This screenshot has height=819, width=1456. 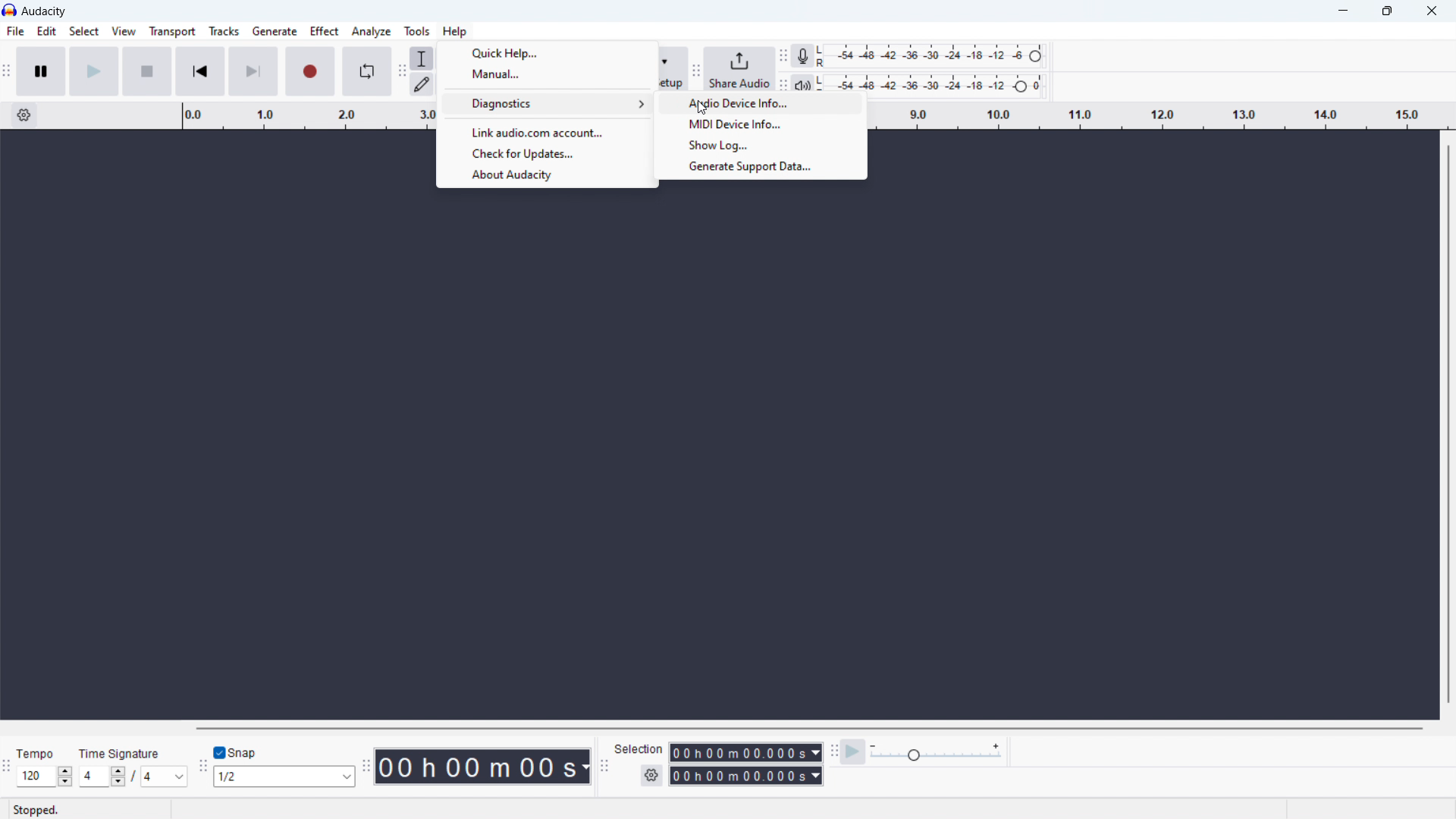 What do you see at coordinates (223, 31) in the screenshot?
I see `tracks` at bounding box center [223, 31].